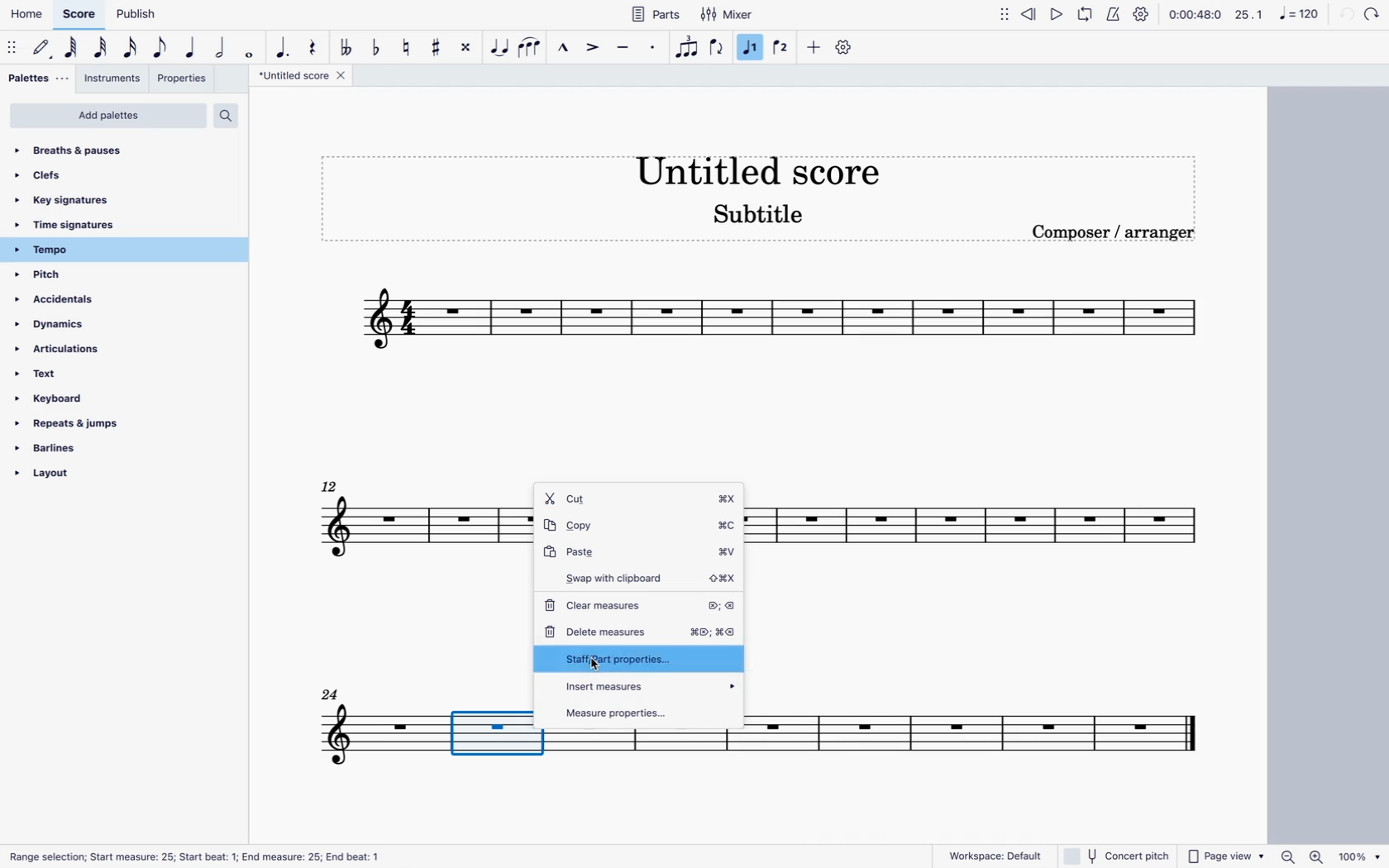 The height and width of the screenshot is (868, 1389). I want to click on layout, so click(76, 475).